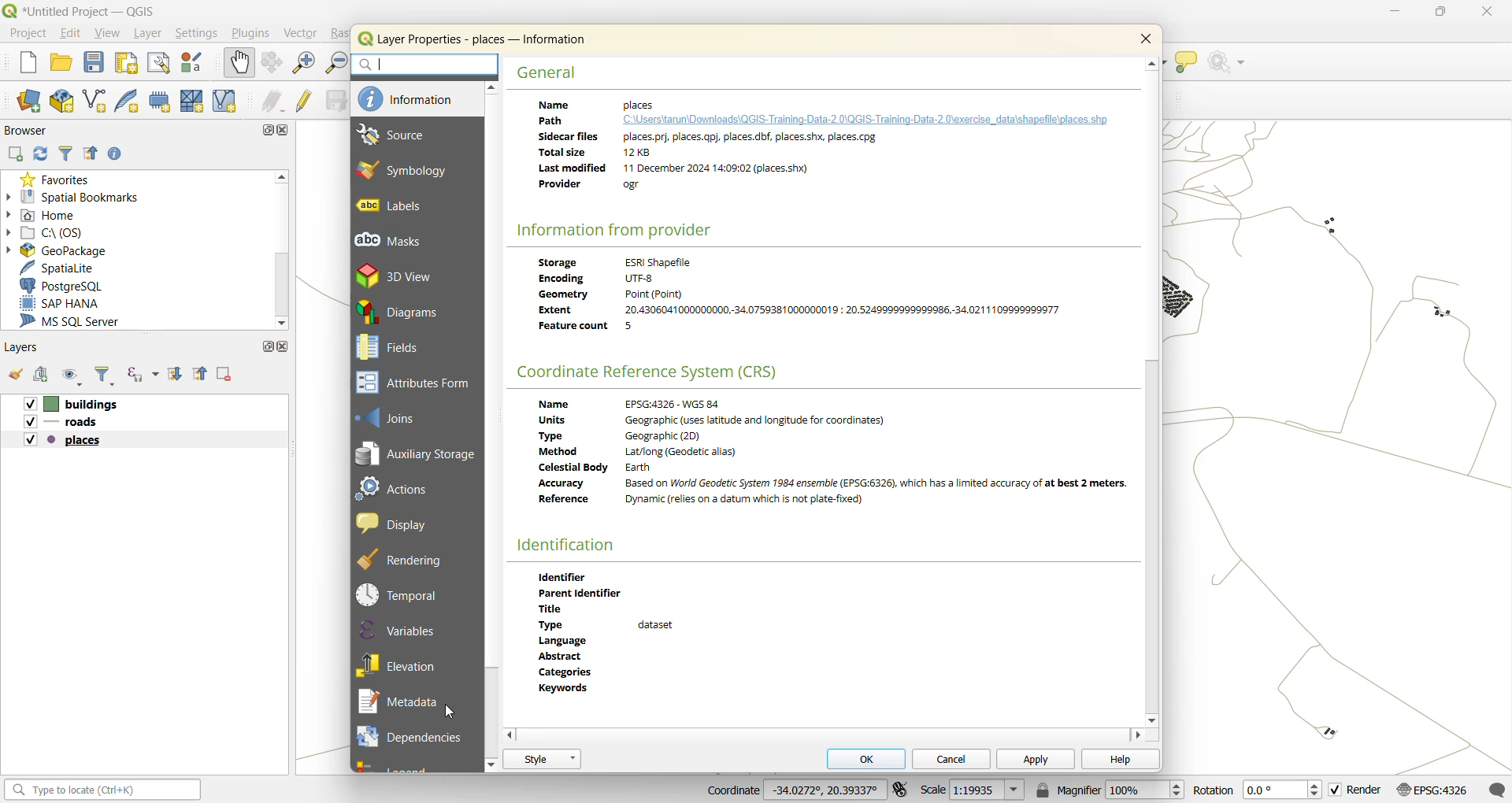 This screenshot has height=803, width=1512. Describe the element at coordinates (406, 667) in the screenshot. I see `elevation` at that location.